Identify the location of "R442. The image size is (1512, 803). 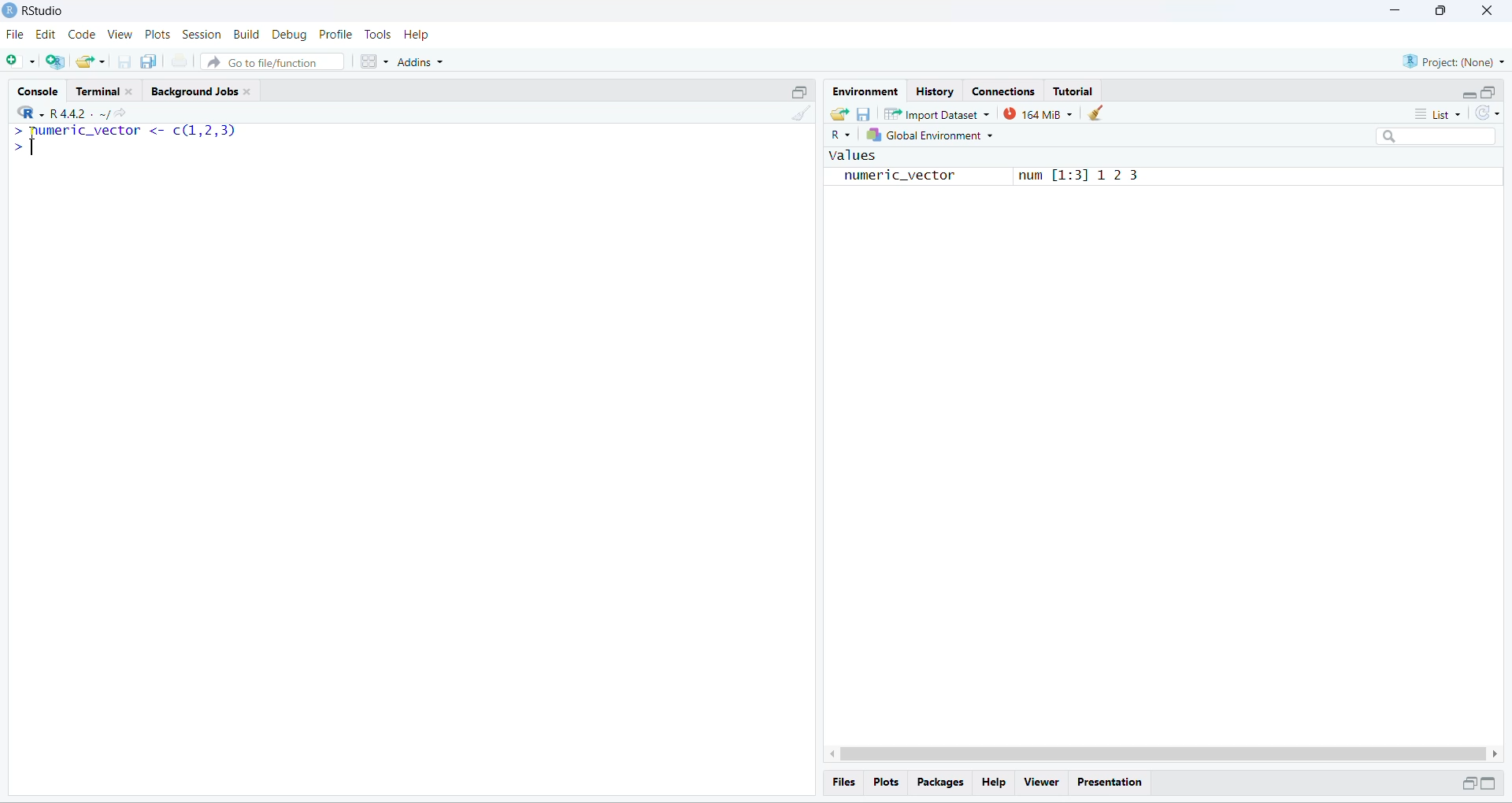
(51, 113).